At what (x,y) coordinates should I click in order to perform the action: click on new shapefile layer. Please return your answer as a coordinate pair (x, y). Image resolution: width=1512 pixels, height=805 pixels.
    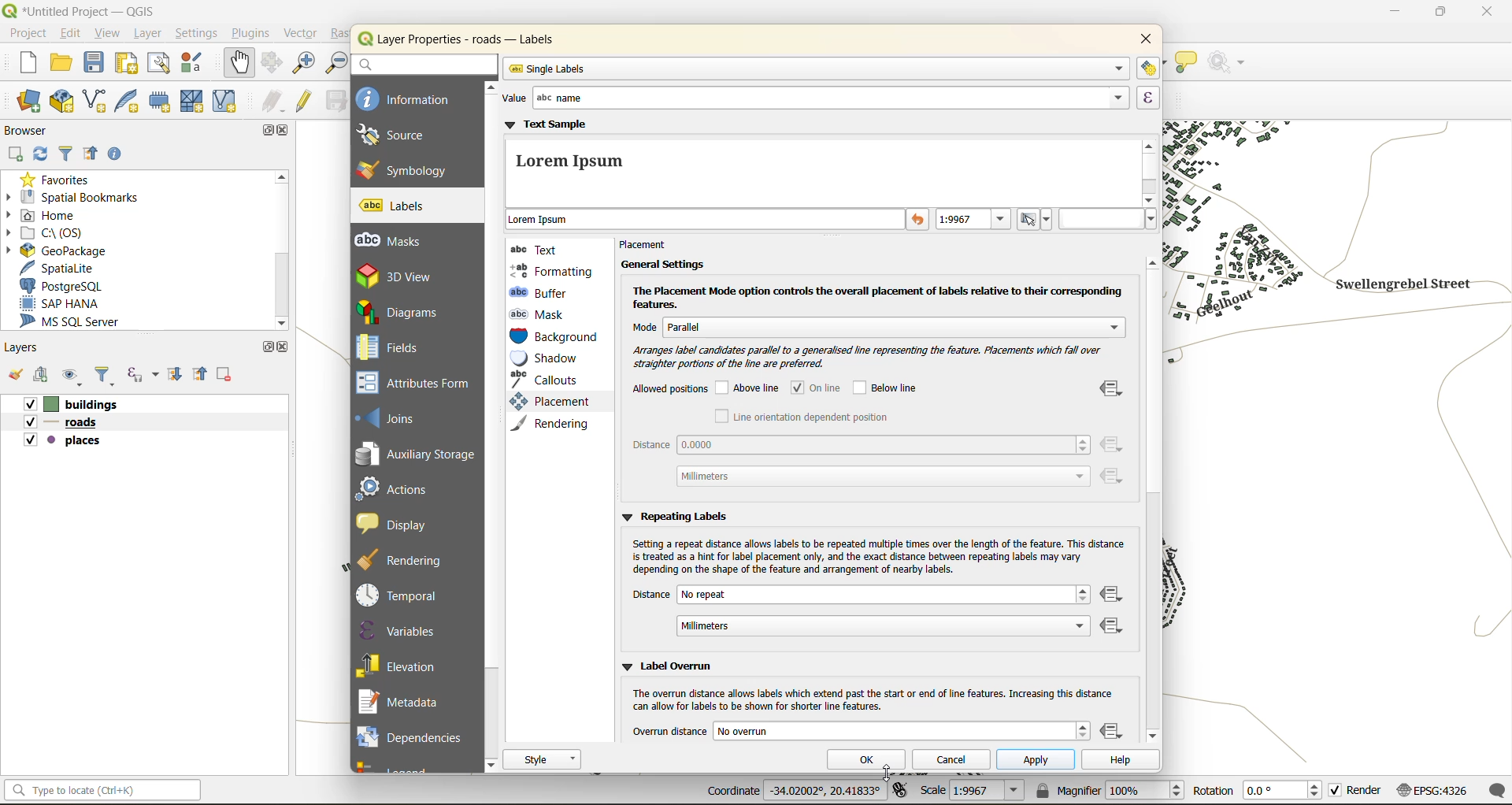
    Looking at the image, I should click on (102, 102).